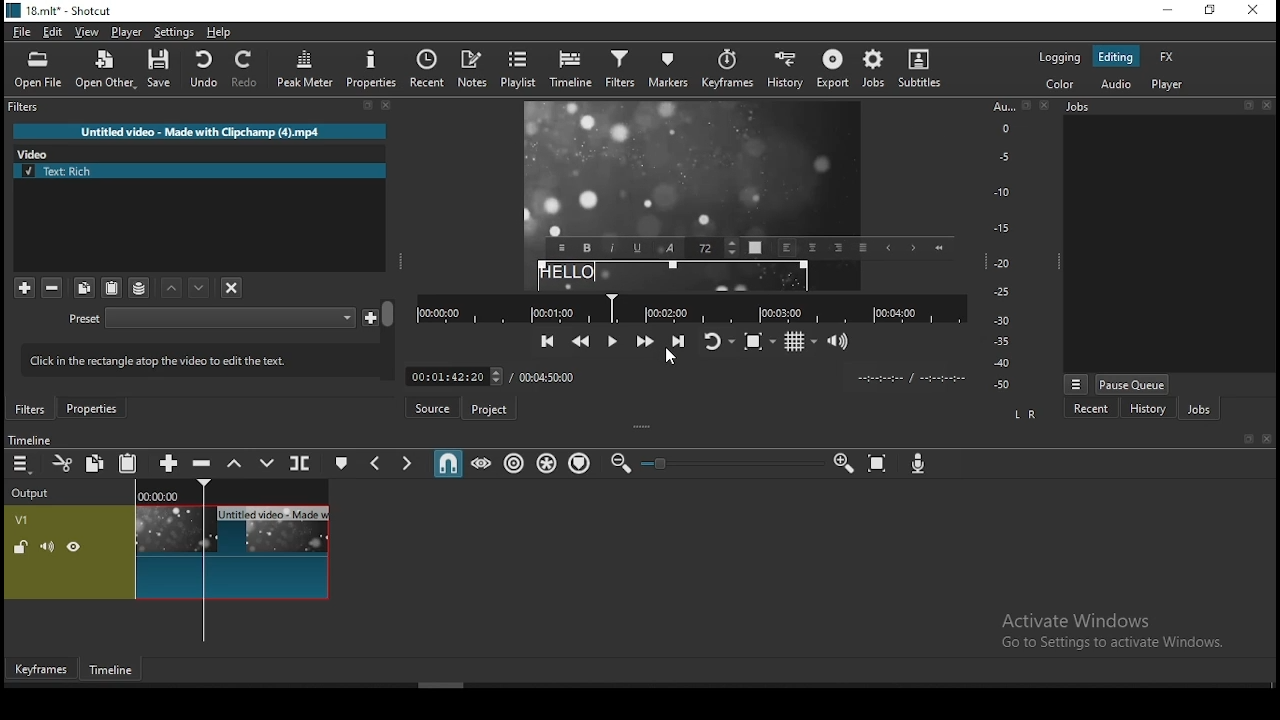  I want to click on project, so click(487, 410).